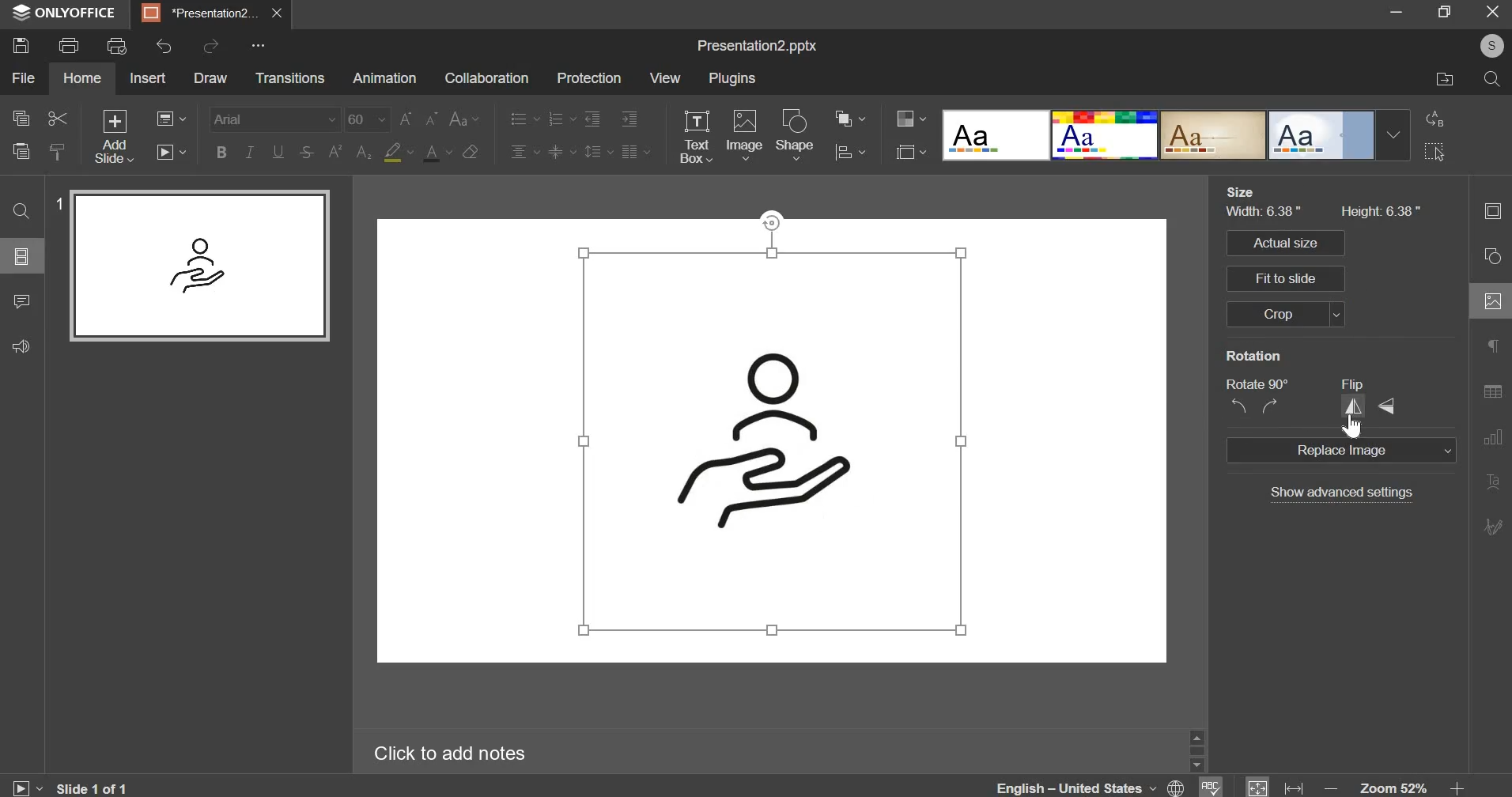  Describe the element at coordinates (1376, 396) in the screenshot. I see `flip` at that location.